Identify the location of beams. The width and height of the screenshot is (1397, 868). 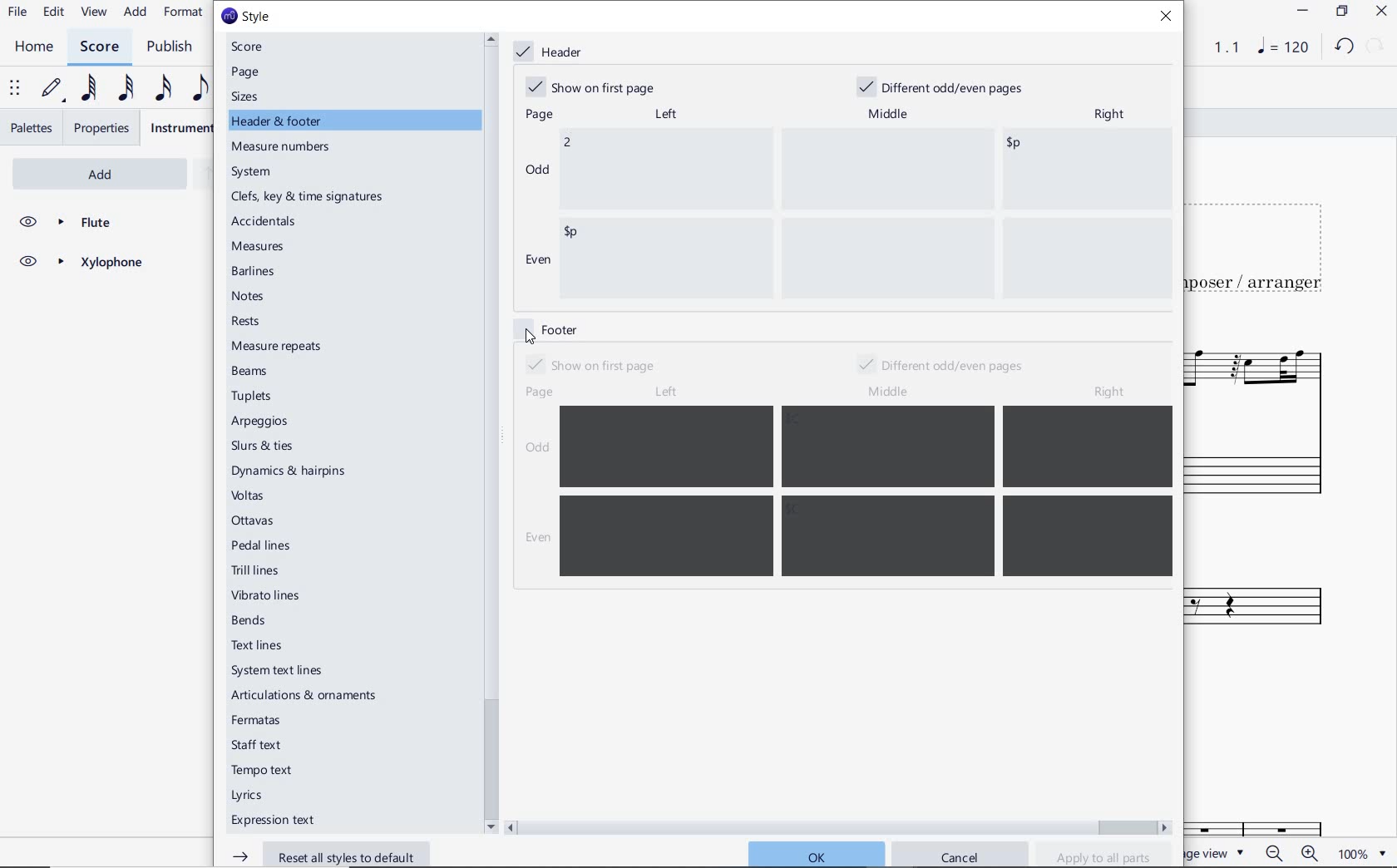
(254, 372).